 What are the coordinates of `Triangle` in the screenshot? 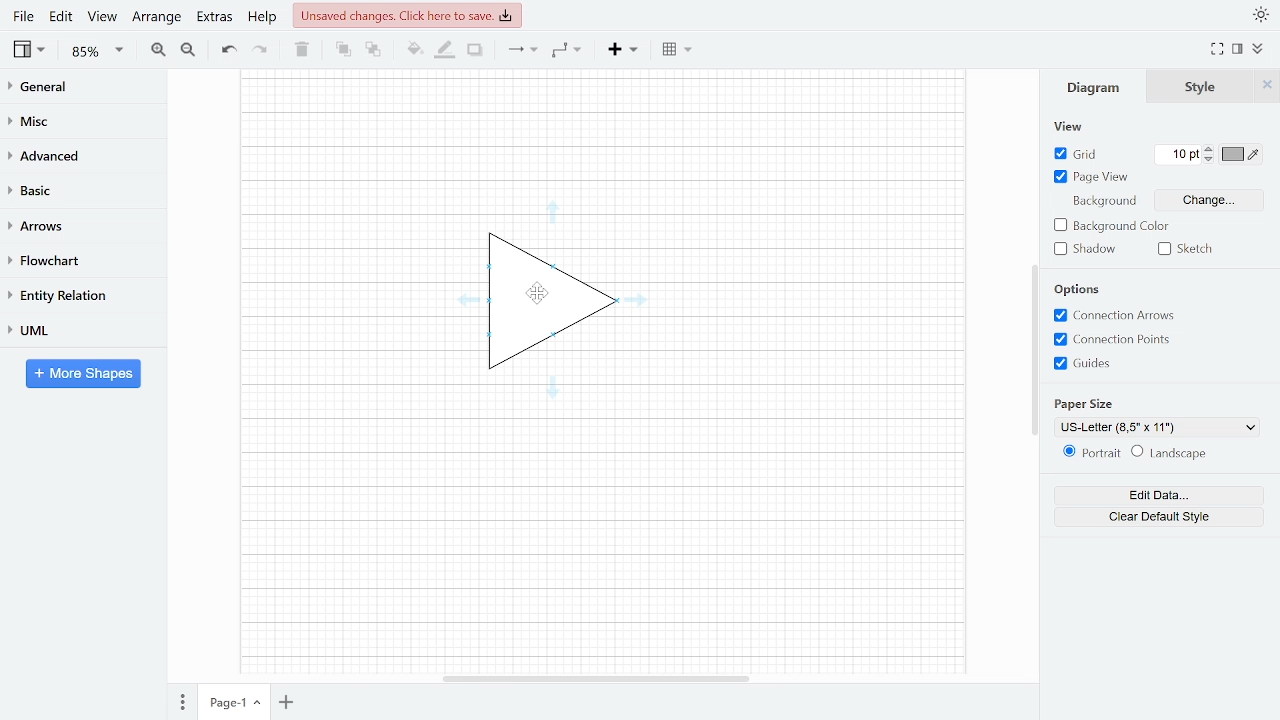 It's located at (543, 302).